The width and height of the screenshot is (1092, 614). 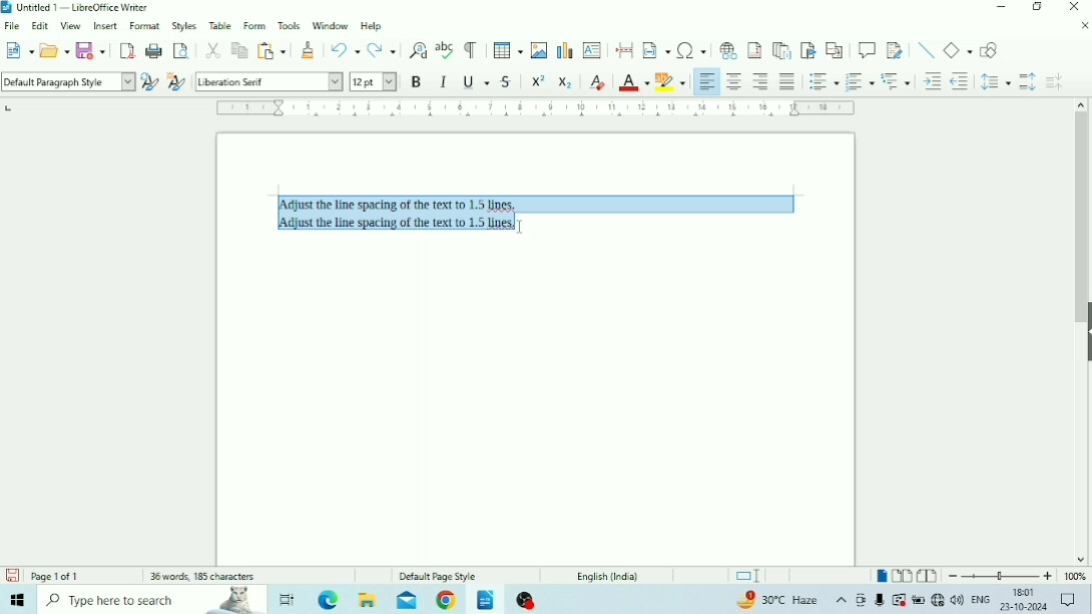 I want to click on Insert Table, so click(x=508, y=49).